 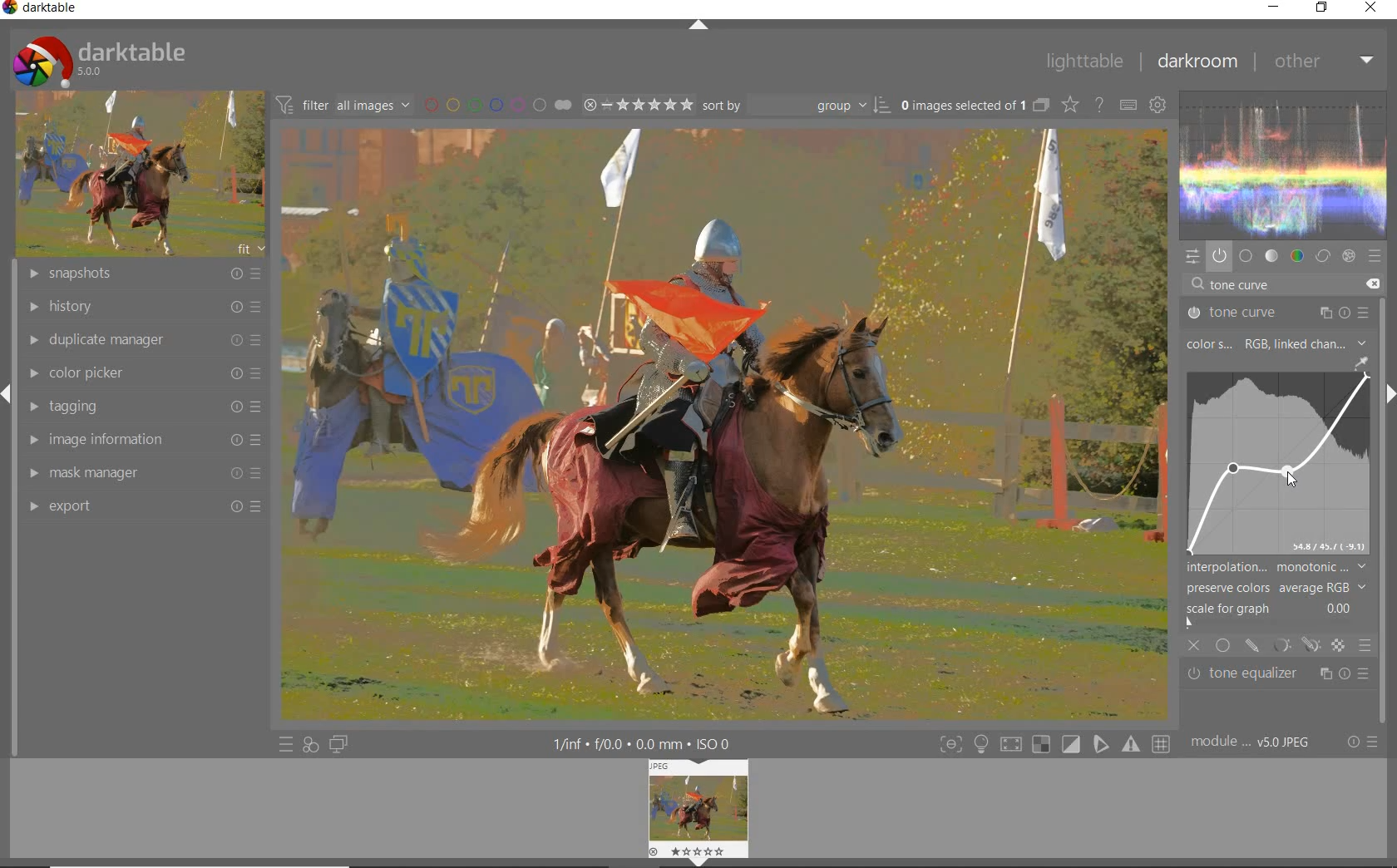 What do you see at coordinates (1276, 7) in the screenshot?
I see `minimize` at bounding box center [1276, 7].